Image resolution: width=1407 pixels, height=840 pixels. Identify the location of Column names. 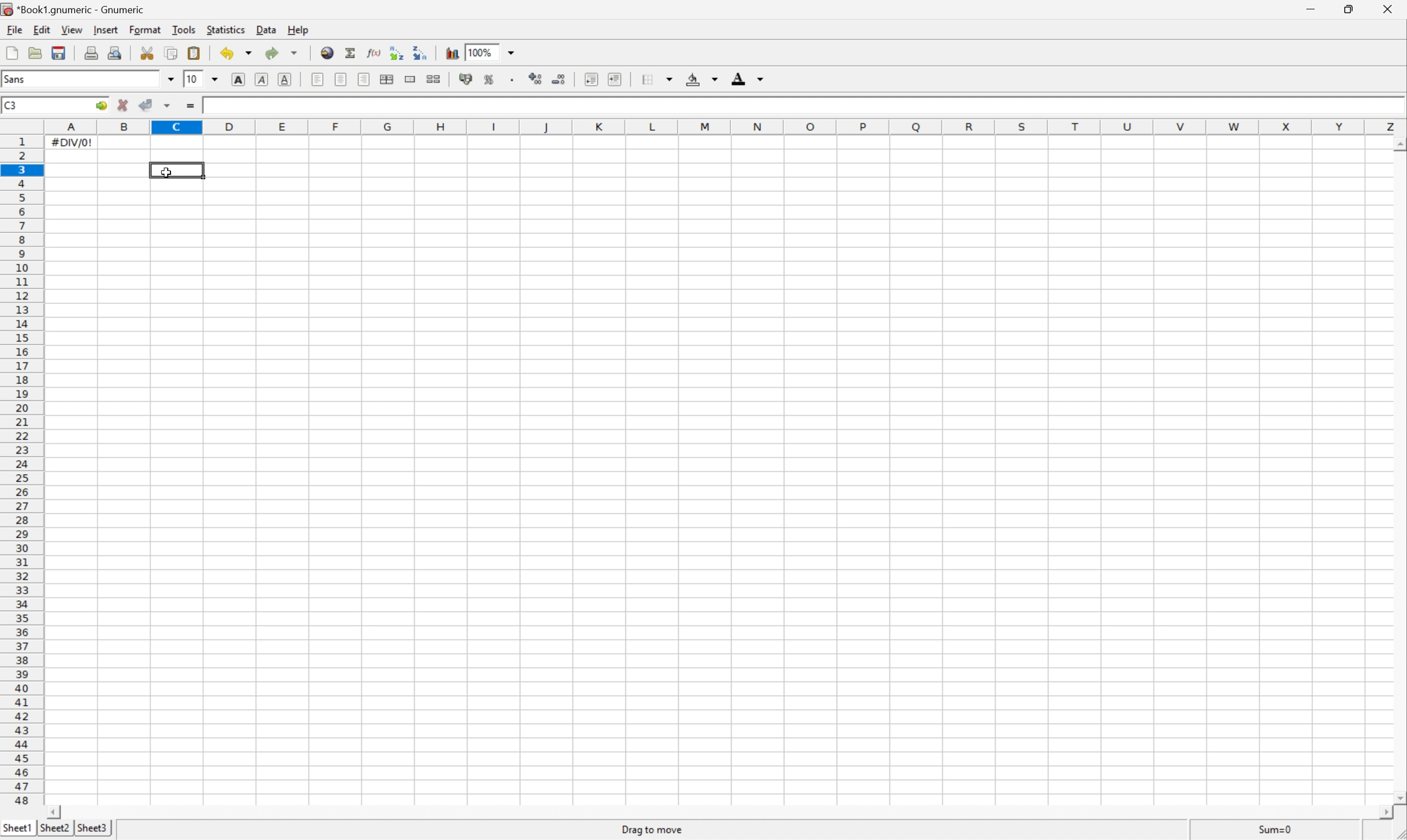
(723, 127).